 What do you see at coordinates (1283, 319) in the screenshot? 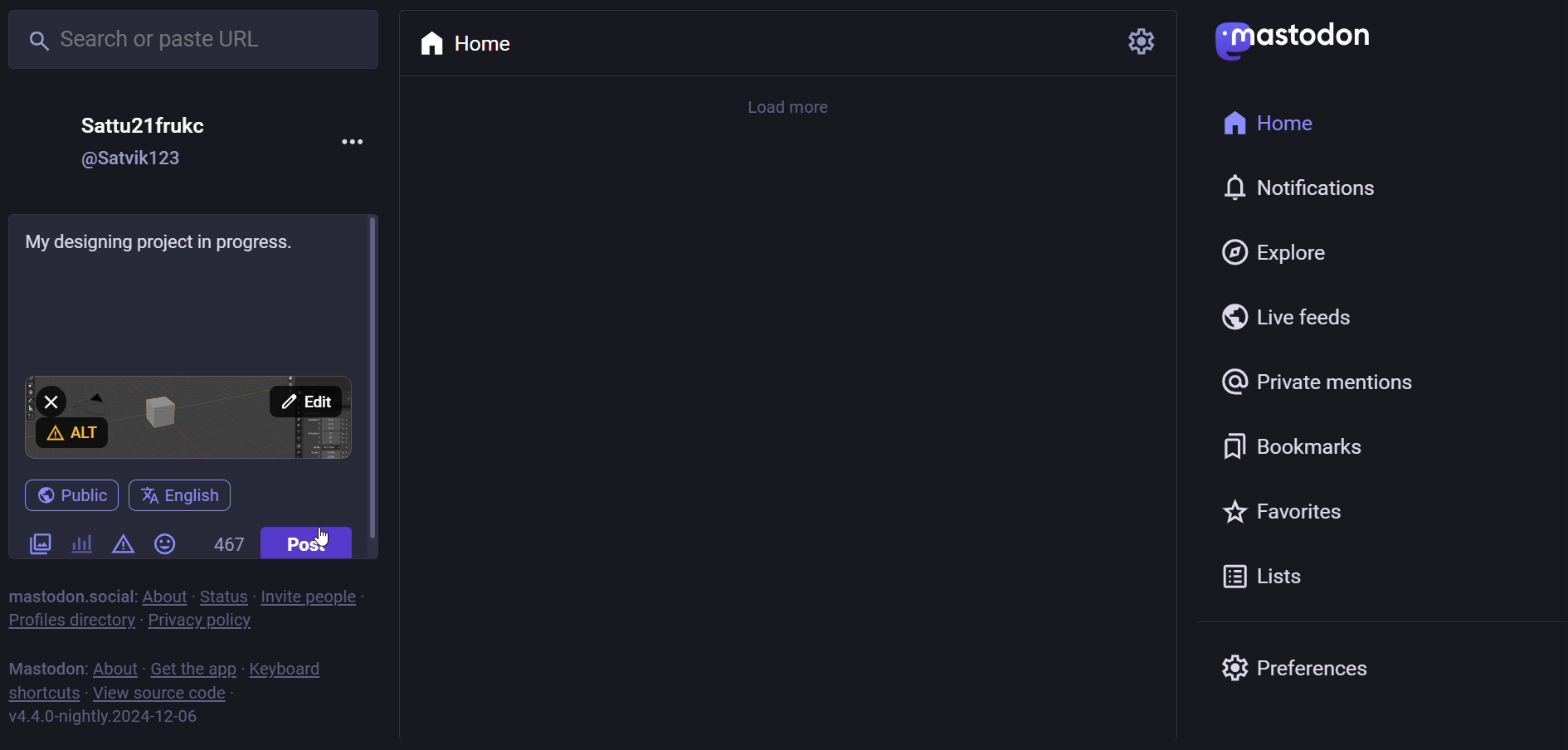
I see `live feed` at bounding box center [1283, 319].